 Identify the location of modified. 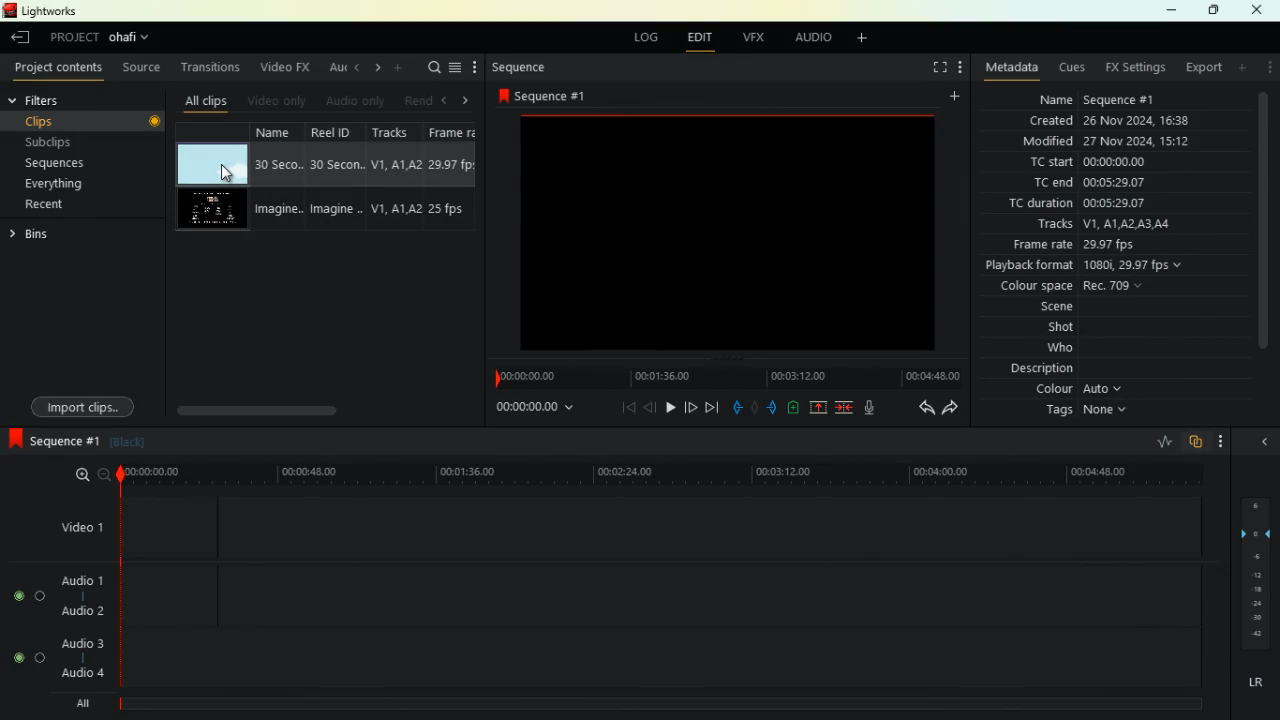
(1102, 142).